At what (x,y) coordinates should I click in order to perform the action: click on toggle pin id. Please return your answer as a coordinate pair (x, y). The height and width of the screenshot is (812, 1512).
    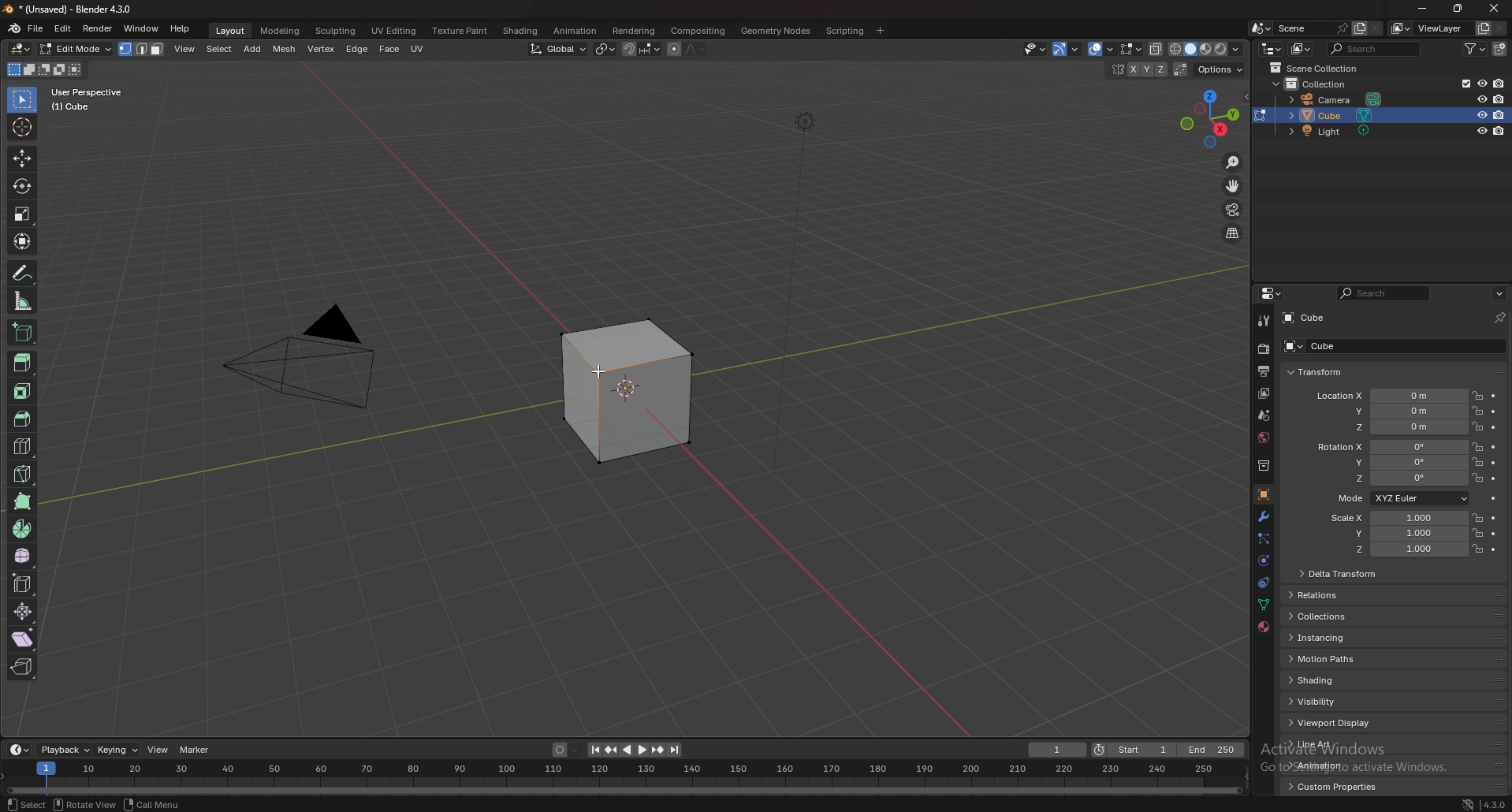
    Looking at the image, I should click on (1499, 317).